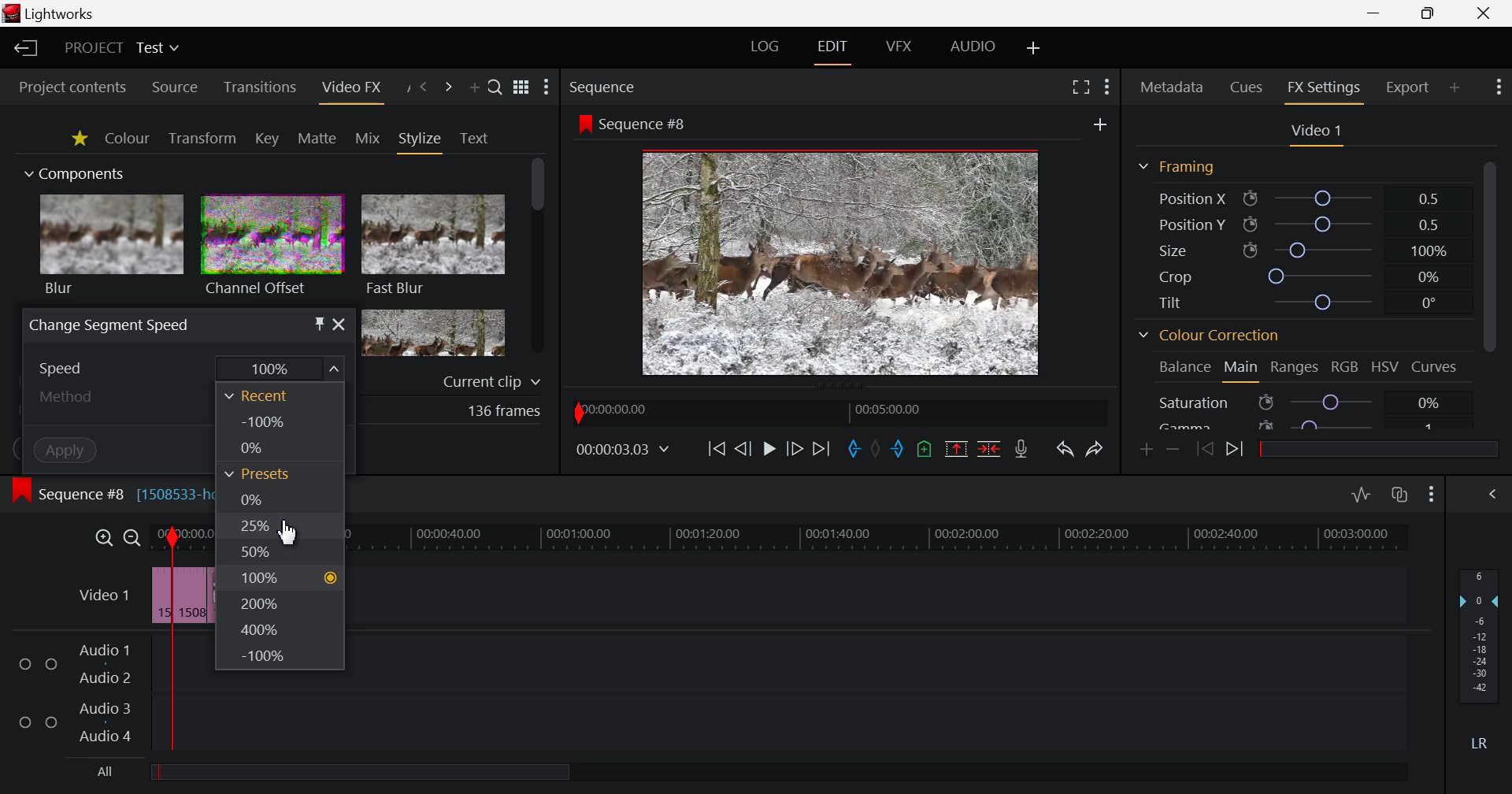  I want to click on Favorites, so click(77, 139).